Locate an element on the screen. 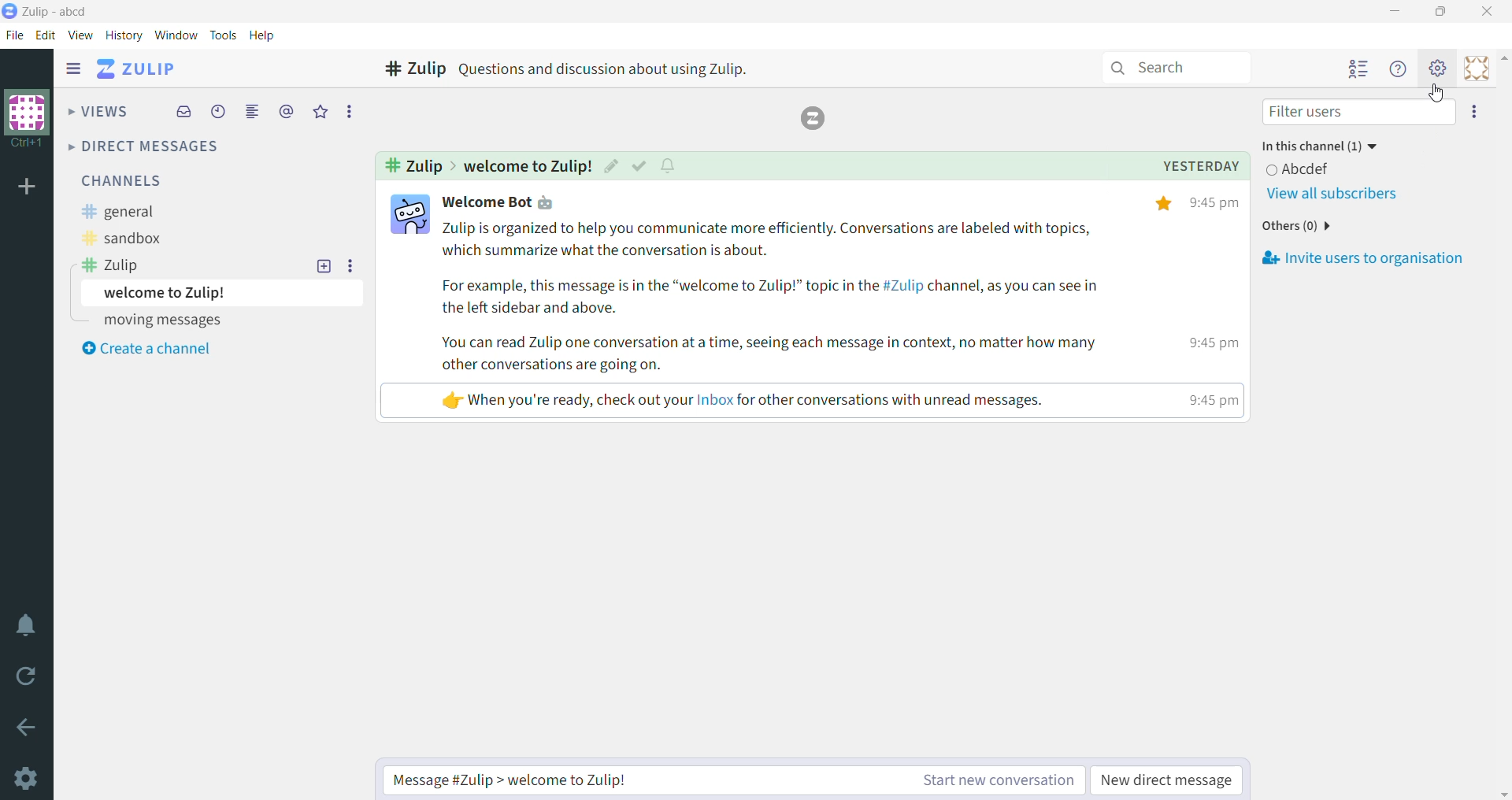 This screenshot has height=800, width=1512. Create a channel is located at coordinates (146, 349).